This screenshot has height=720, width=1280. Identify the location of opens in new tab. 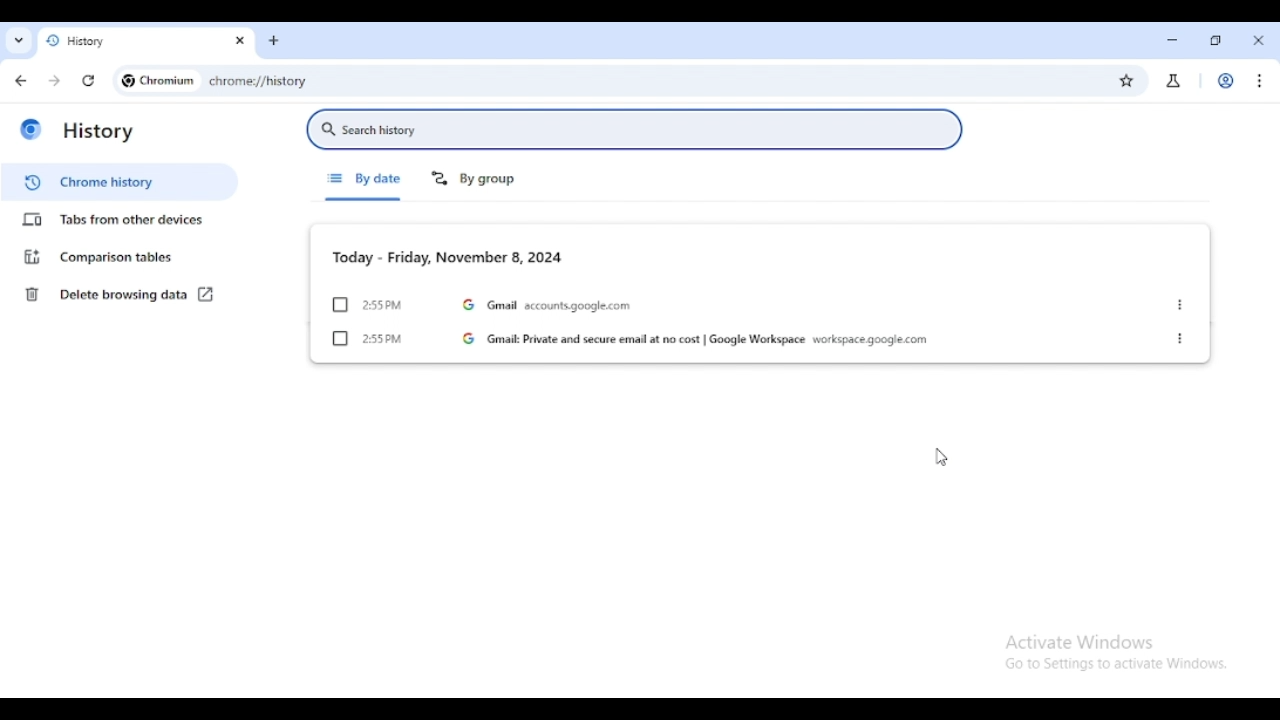
(206, 294).